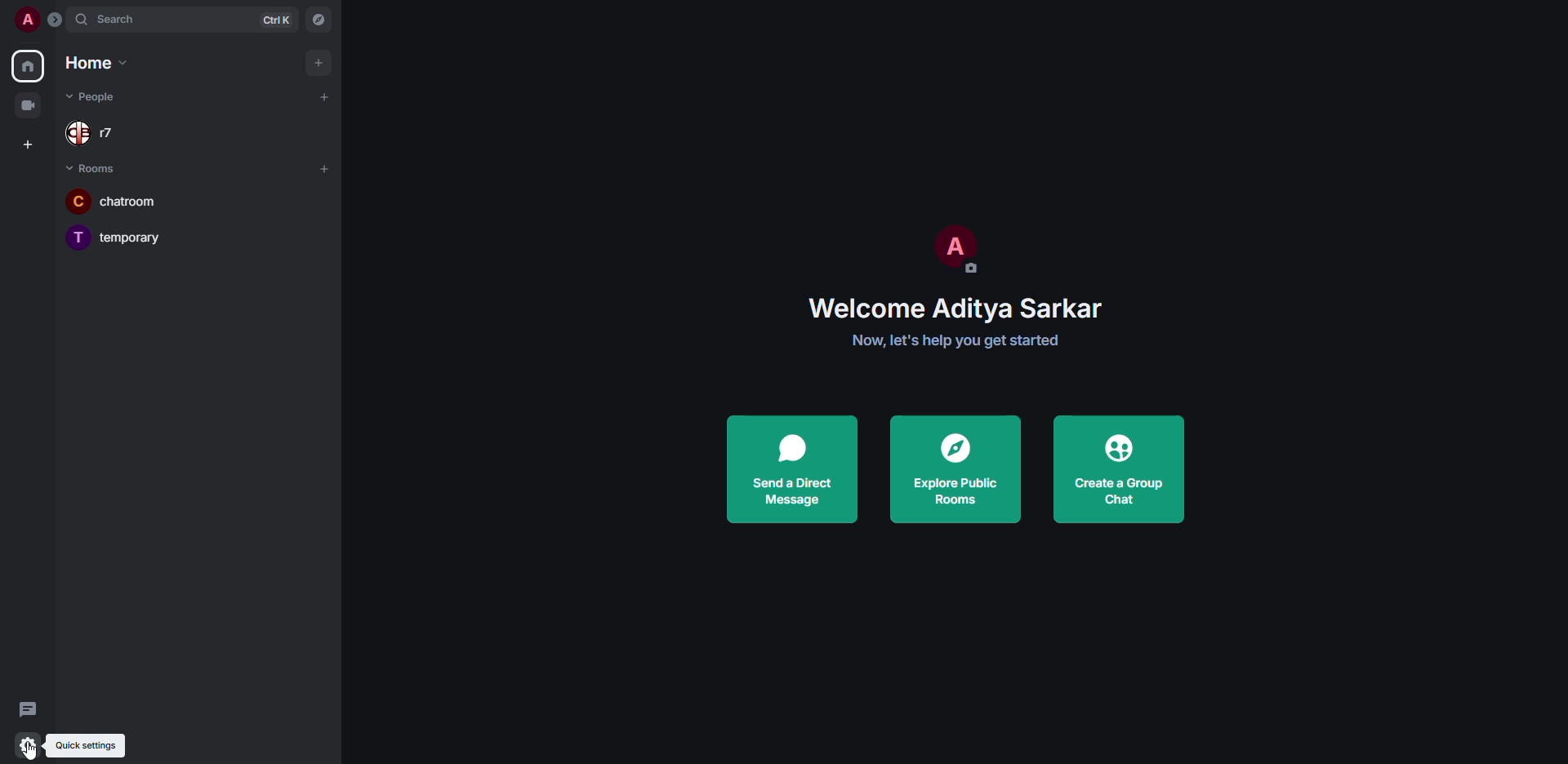 This screenshot has width=1568, height=764. What do you see at coordinates (1117, 472) in the screenshot?
I see `create a group chat` at bounding box center [1117, 472].